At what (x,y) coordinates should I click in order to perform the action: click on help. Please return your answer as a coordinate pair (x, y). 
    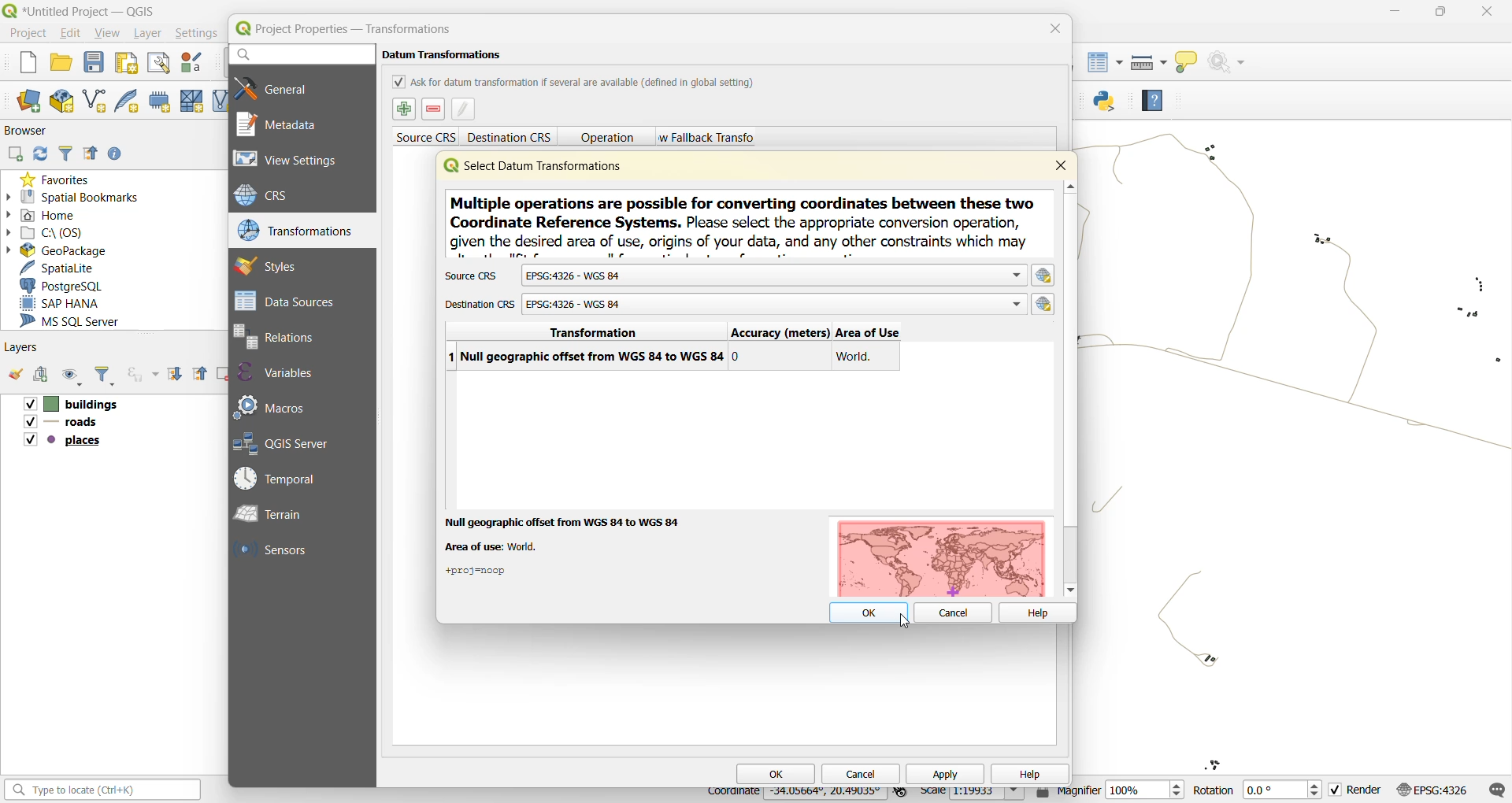
    Looking at the image, I should click on (1036, 612).